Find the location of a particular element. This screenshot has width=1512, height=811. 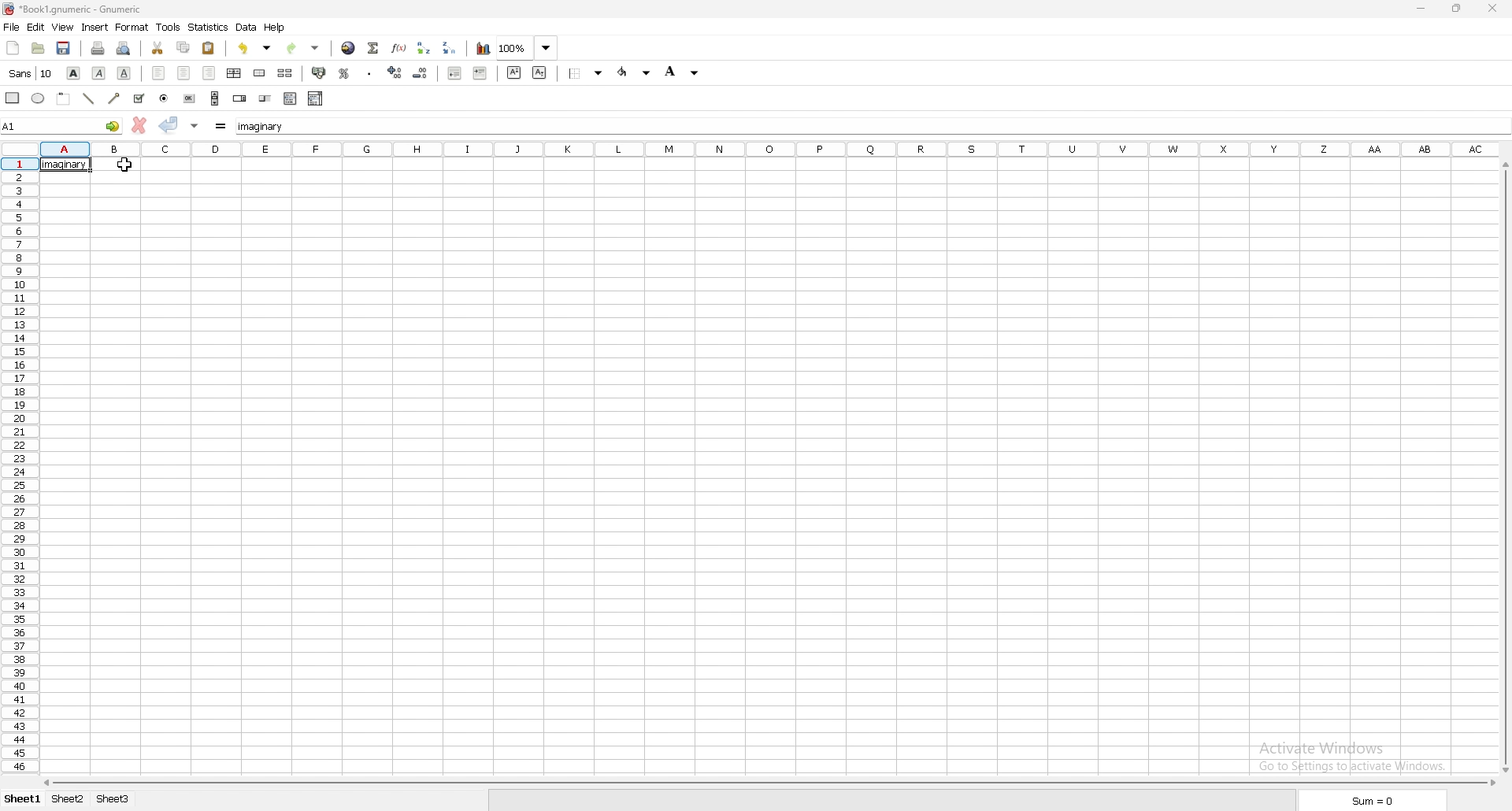

rectangle is located at coordinates (13, 98).